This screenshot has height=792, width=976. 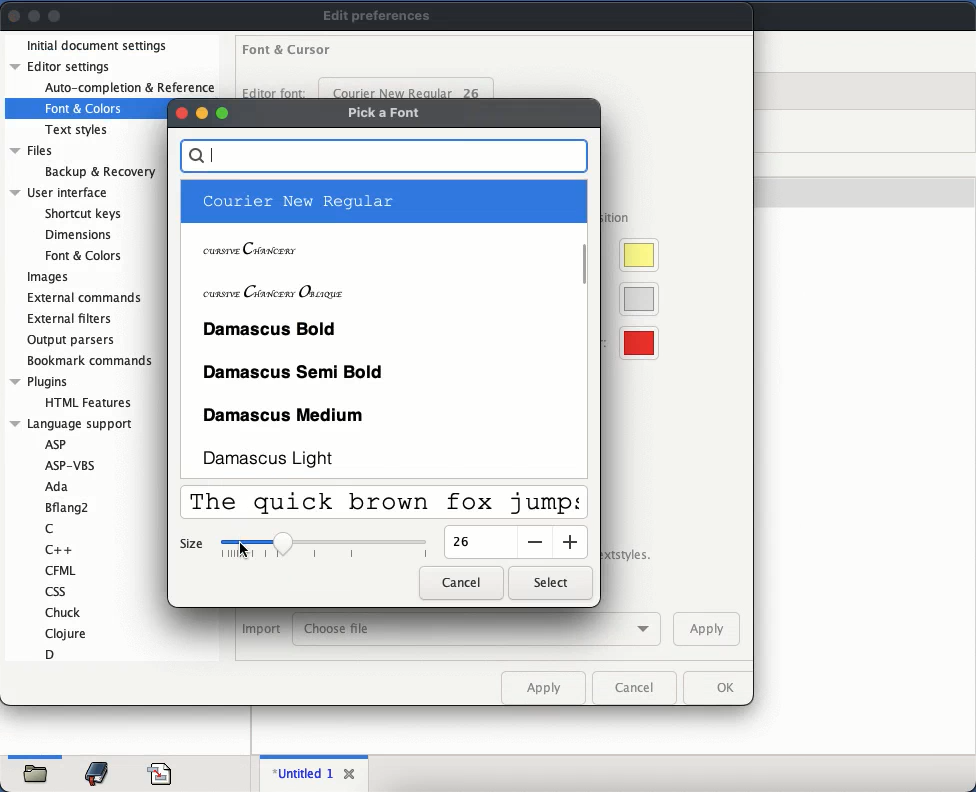 What do you see at coordinates (53, 653) in the screenshot?
I see `D` at bounding box center [53, 653].